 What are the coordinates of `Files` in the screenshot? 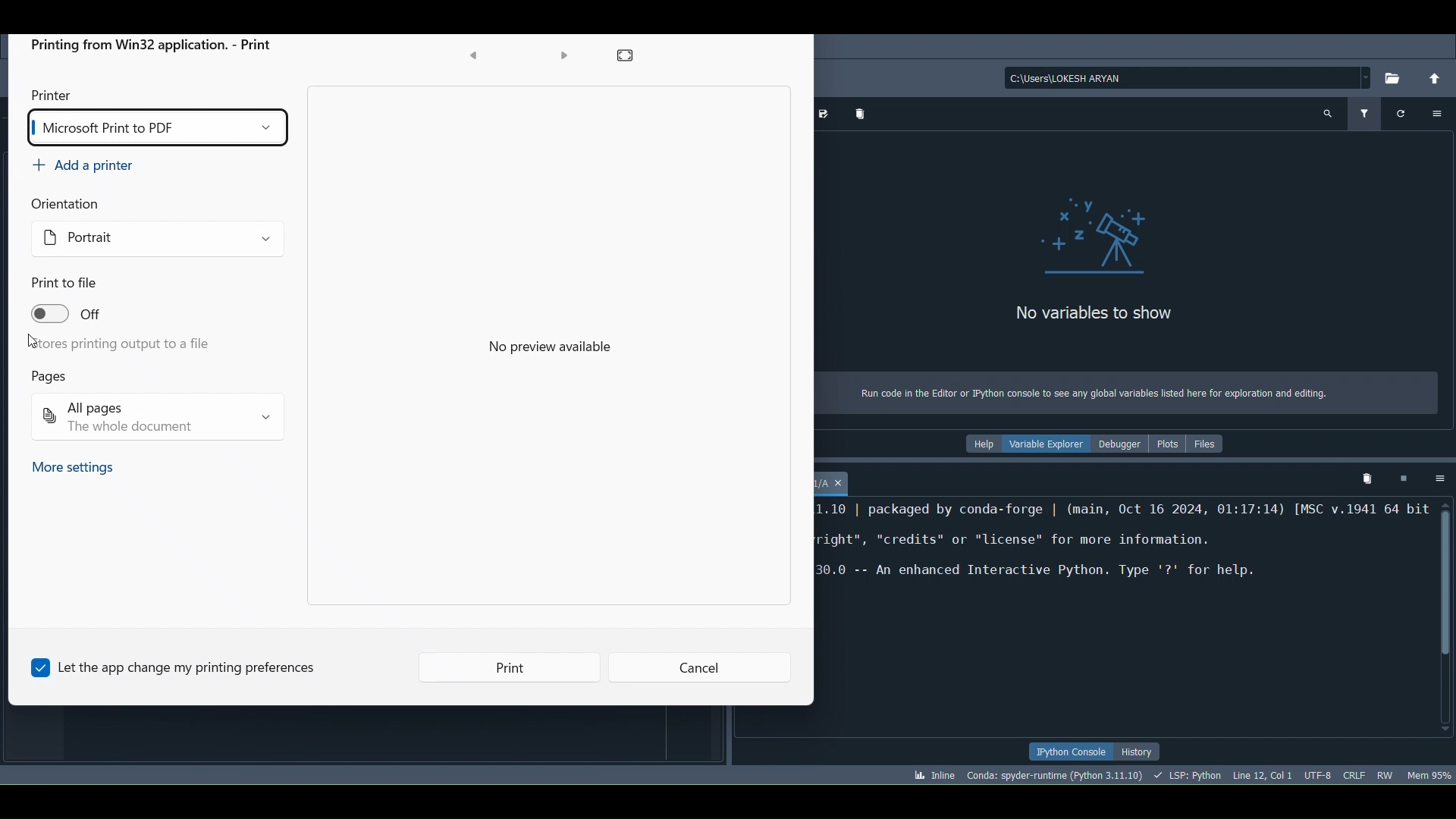 It's located at (1211, 446).